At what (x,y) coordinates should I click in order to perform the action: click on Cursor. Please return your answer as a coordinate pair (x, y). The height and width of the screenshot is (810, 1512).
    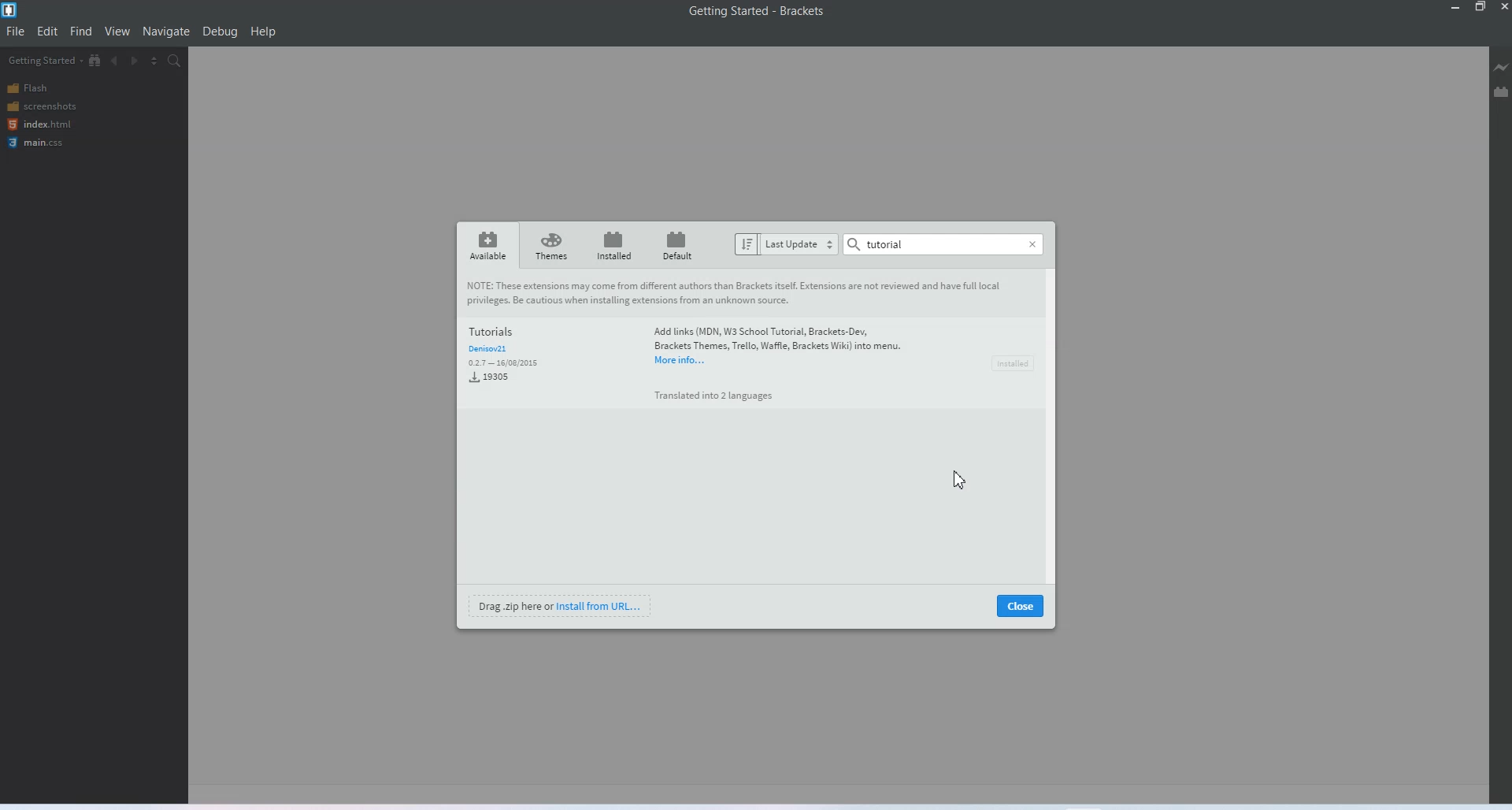
    Looking at the image, I should click on (959, 479).